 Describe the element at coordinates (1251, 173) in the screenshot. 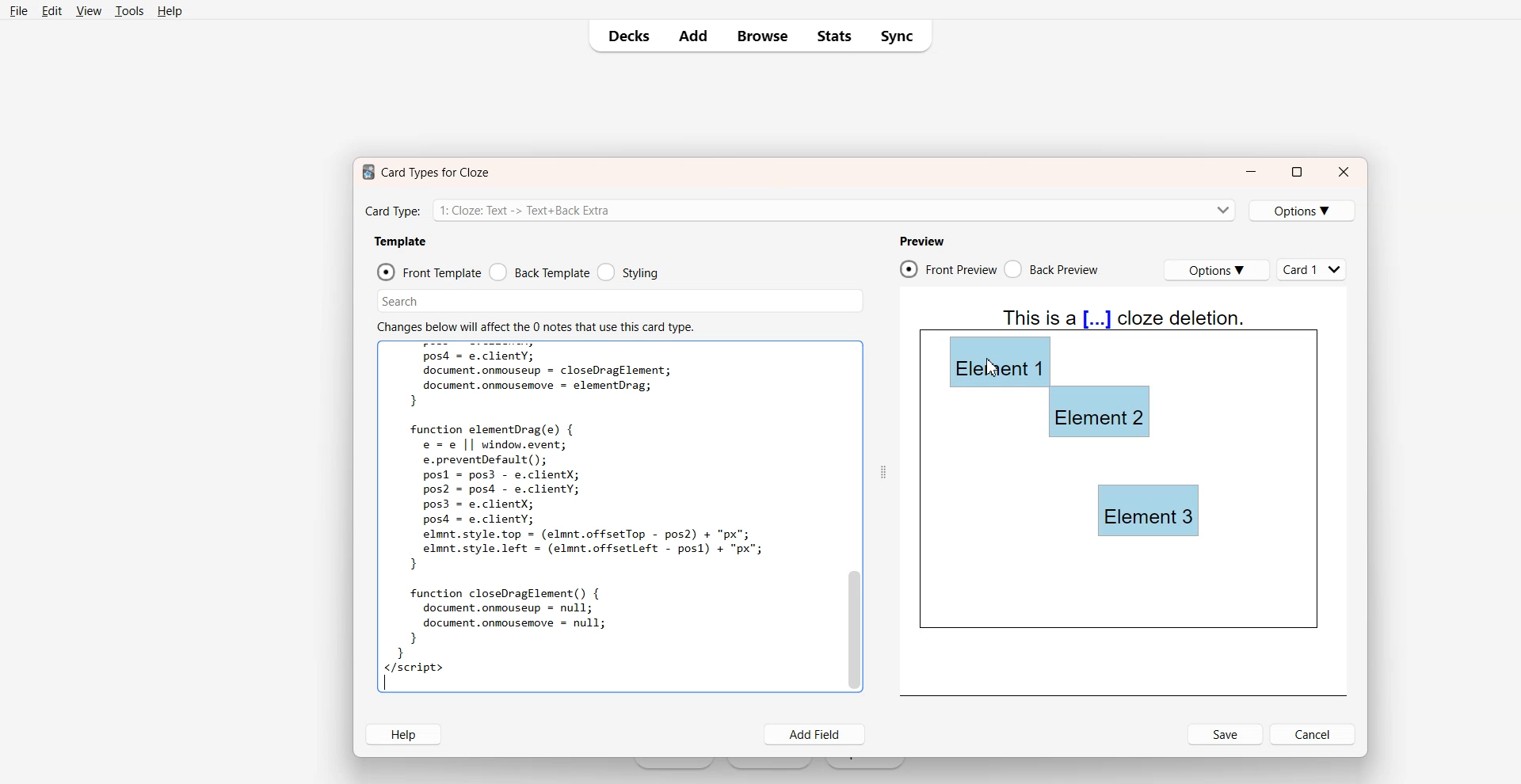

I see `Minimize` at that location.